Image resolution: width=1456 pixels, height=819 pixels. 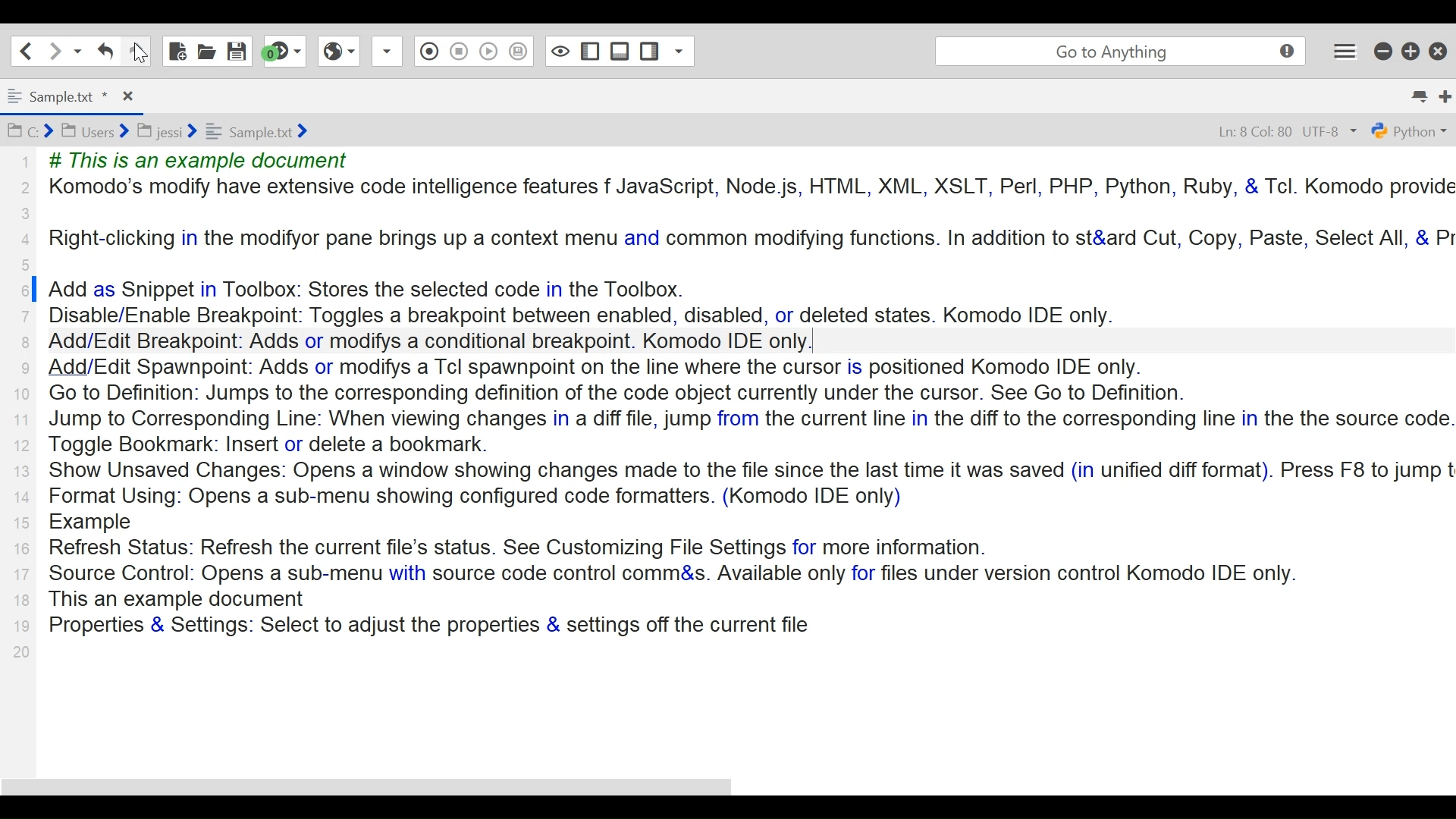 I want to click on Recording in Macro, so click(x=426, y=50).